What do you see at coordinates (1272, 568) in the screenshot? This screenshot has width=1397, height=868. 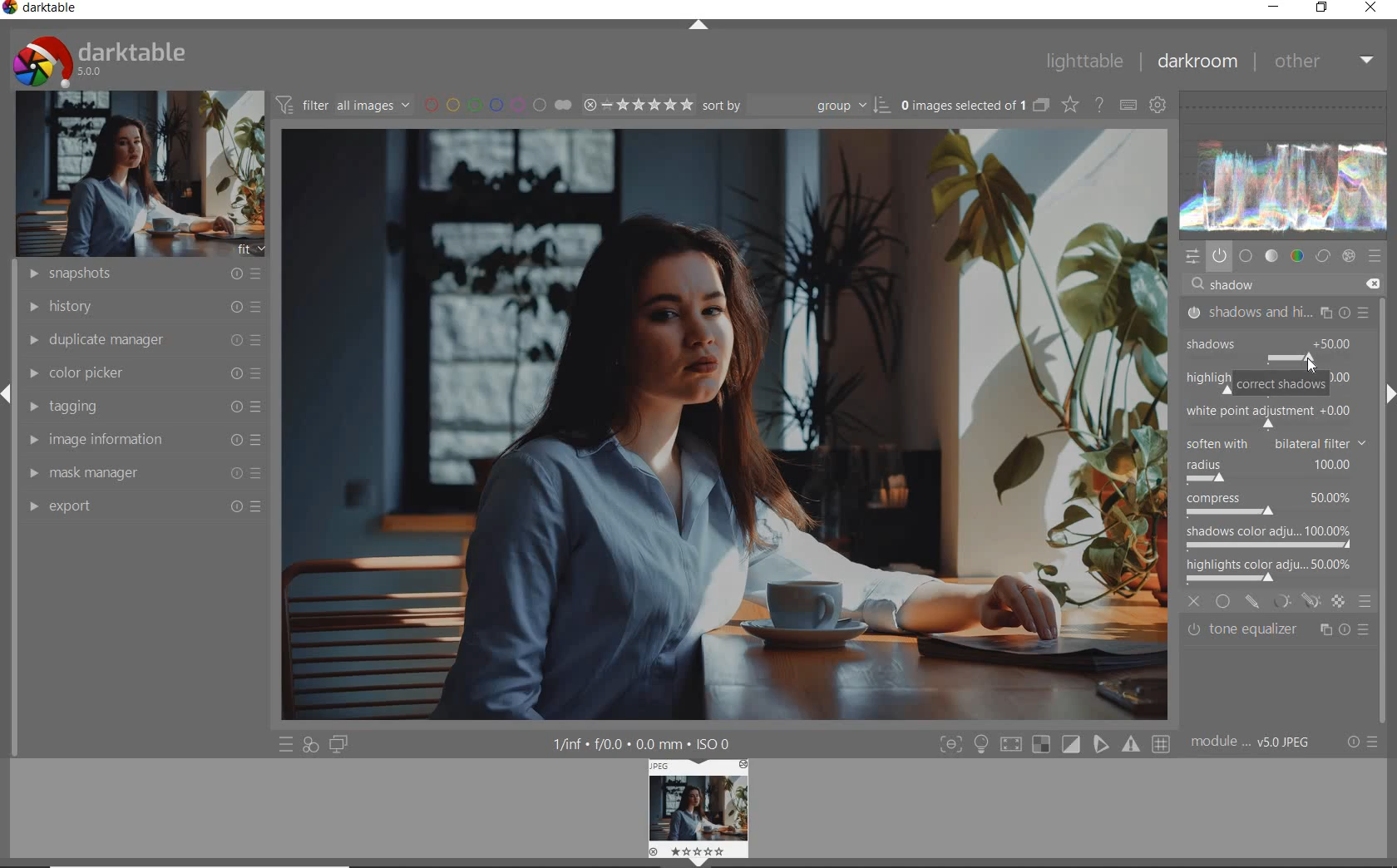 I see `highlights color adjustment` at bounding box center [1272, 568].